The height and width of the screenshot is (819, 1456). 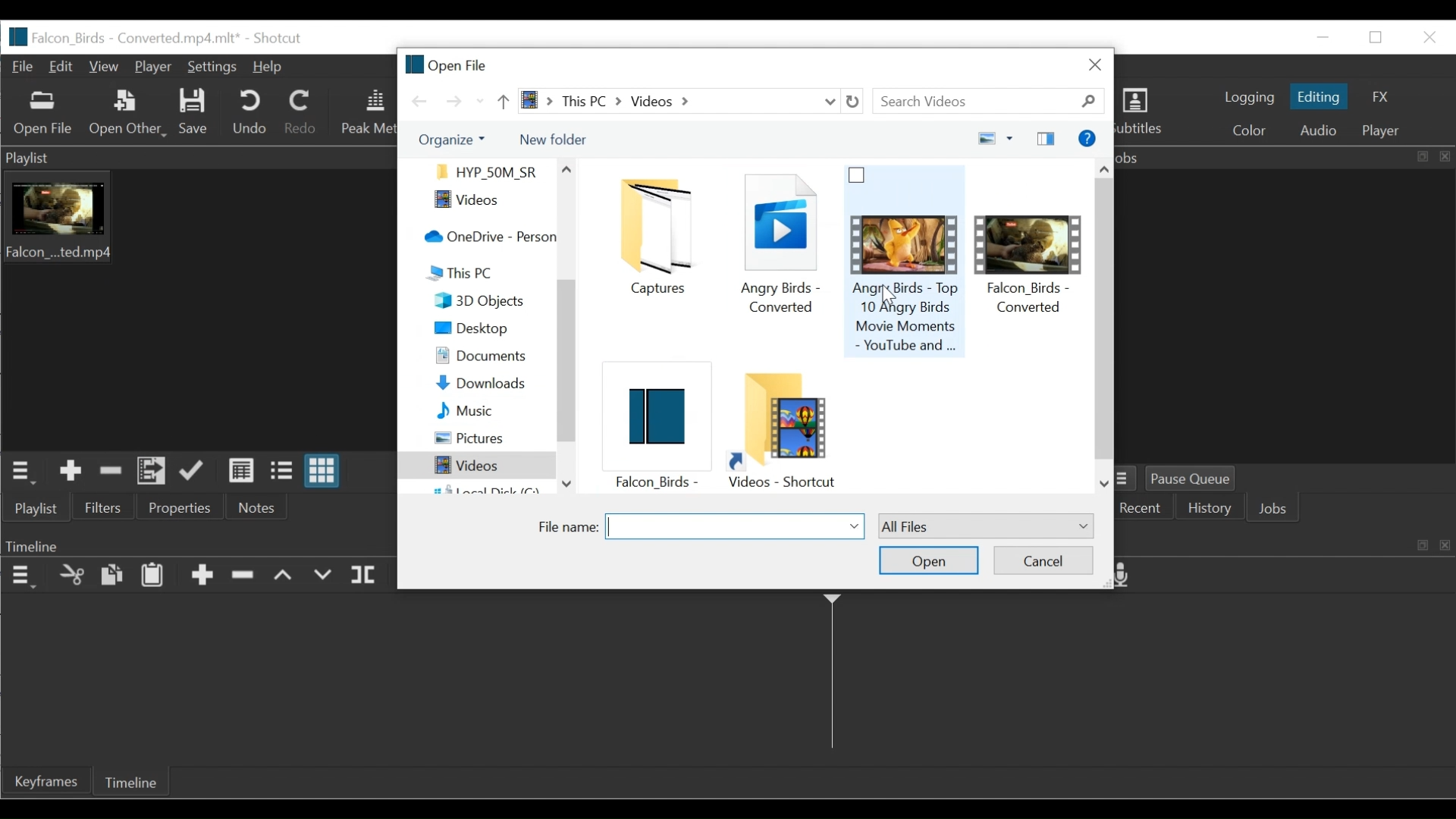 I want to click on Ripple Delete, so click(x=245, y=579).